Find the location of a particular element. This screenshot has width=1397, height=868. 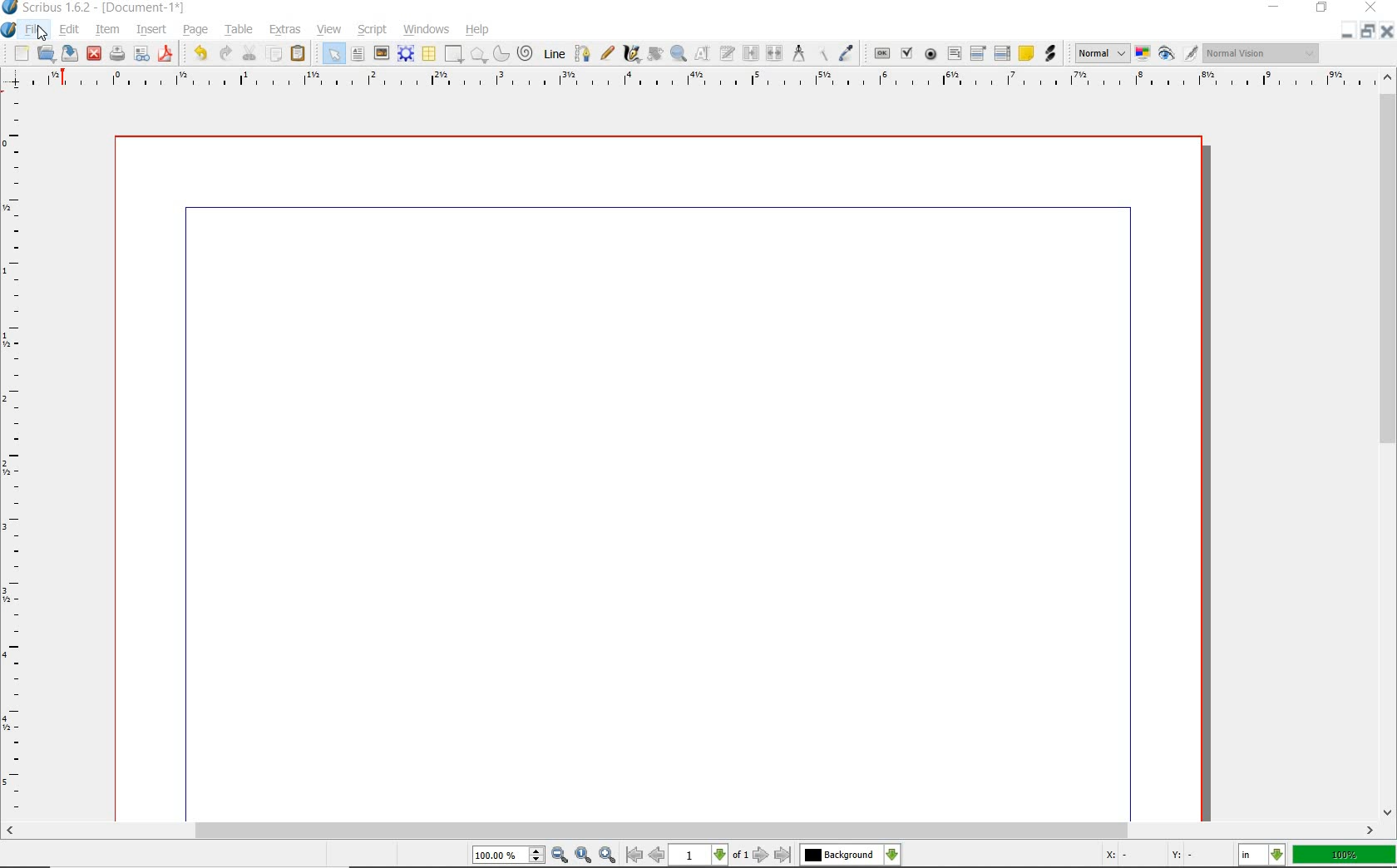

table is located at coordinates (239, 28).